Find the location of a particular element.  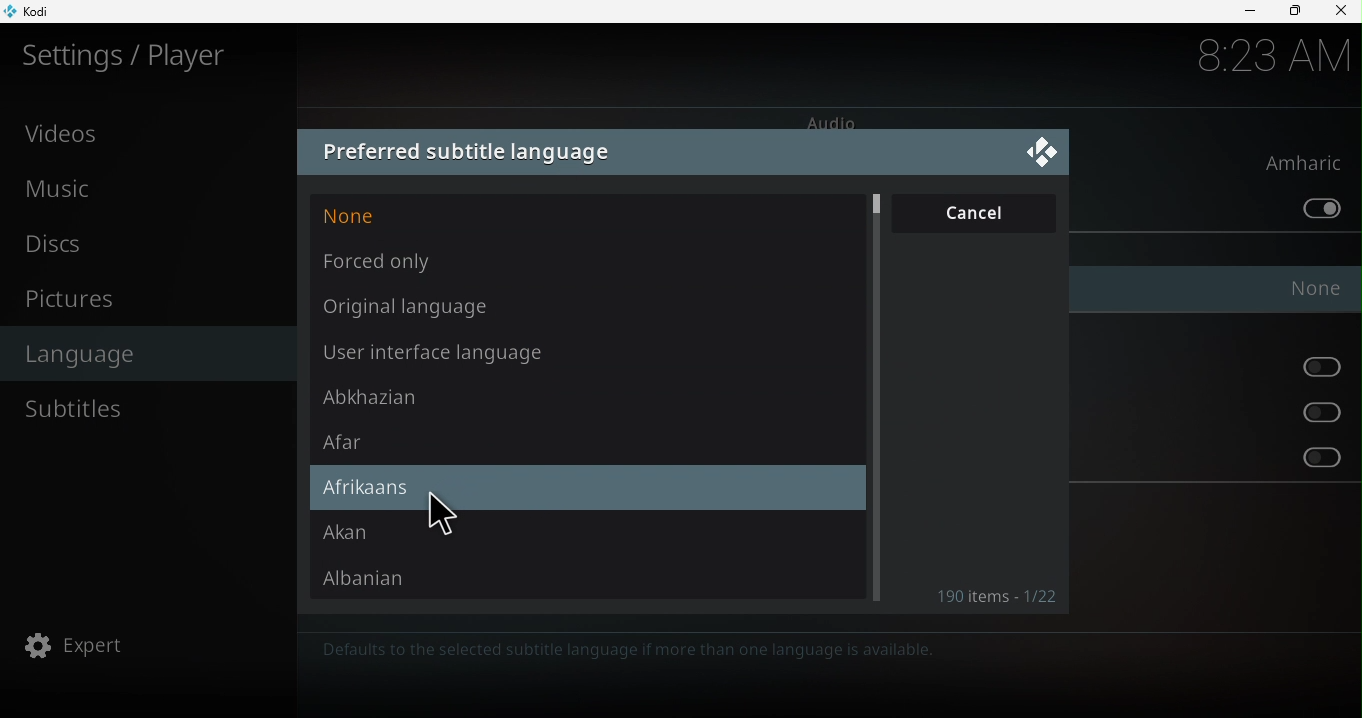

Afar is located at coordinates (582, 441).